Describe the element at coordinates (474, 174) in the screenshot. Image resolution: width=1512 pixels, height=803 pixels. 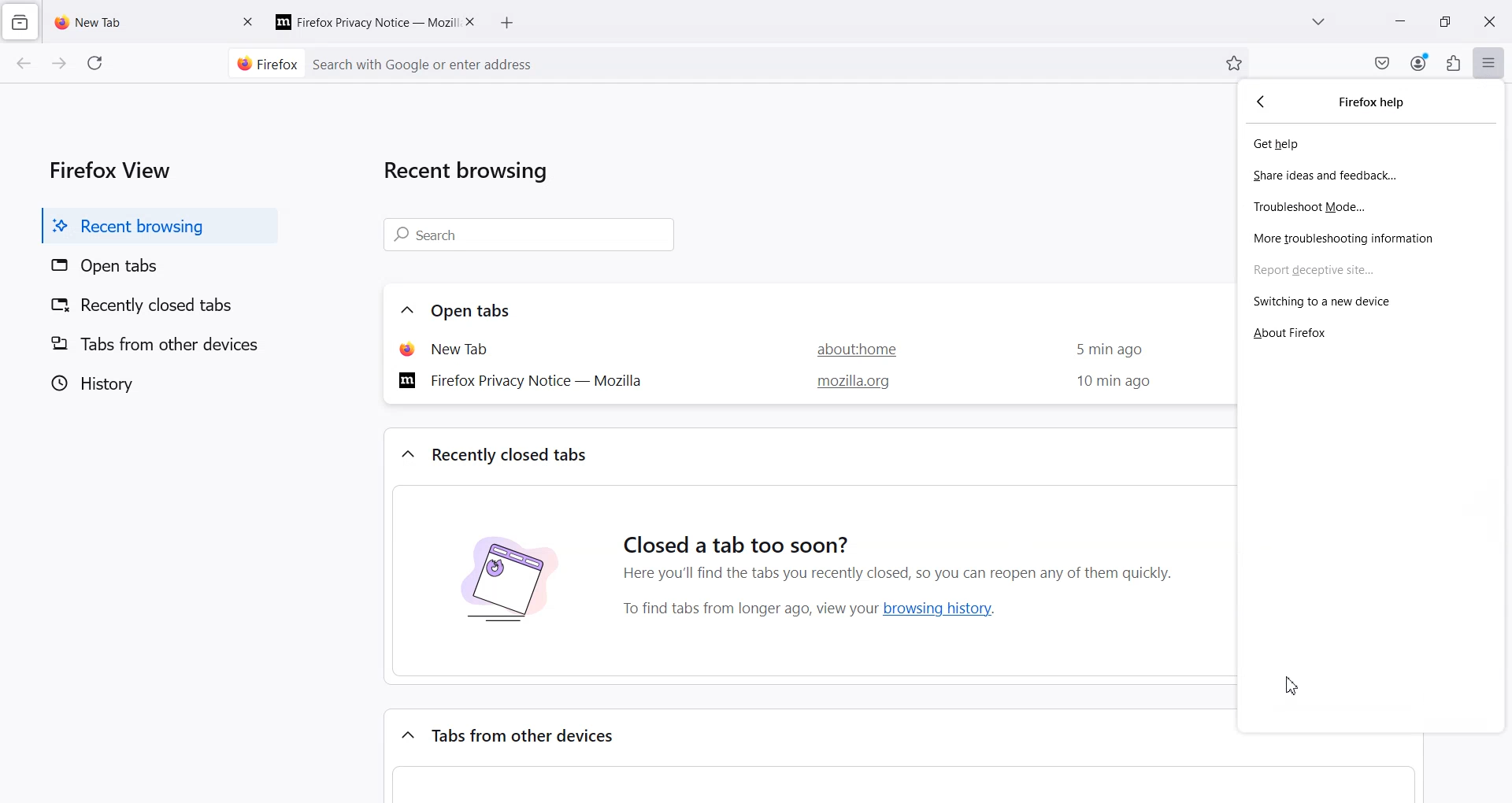
I see `Recent browsing` at that location.